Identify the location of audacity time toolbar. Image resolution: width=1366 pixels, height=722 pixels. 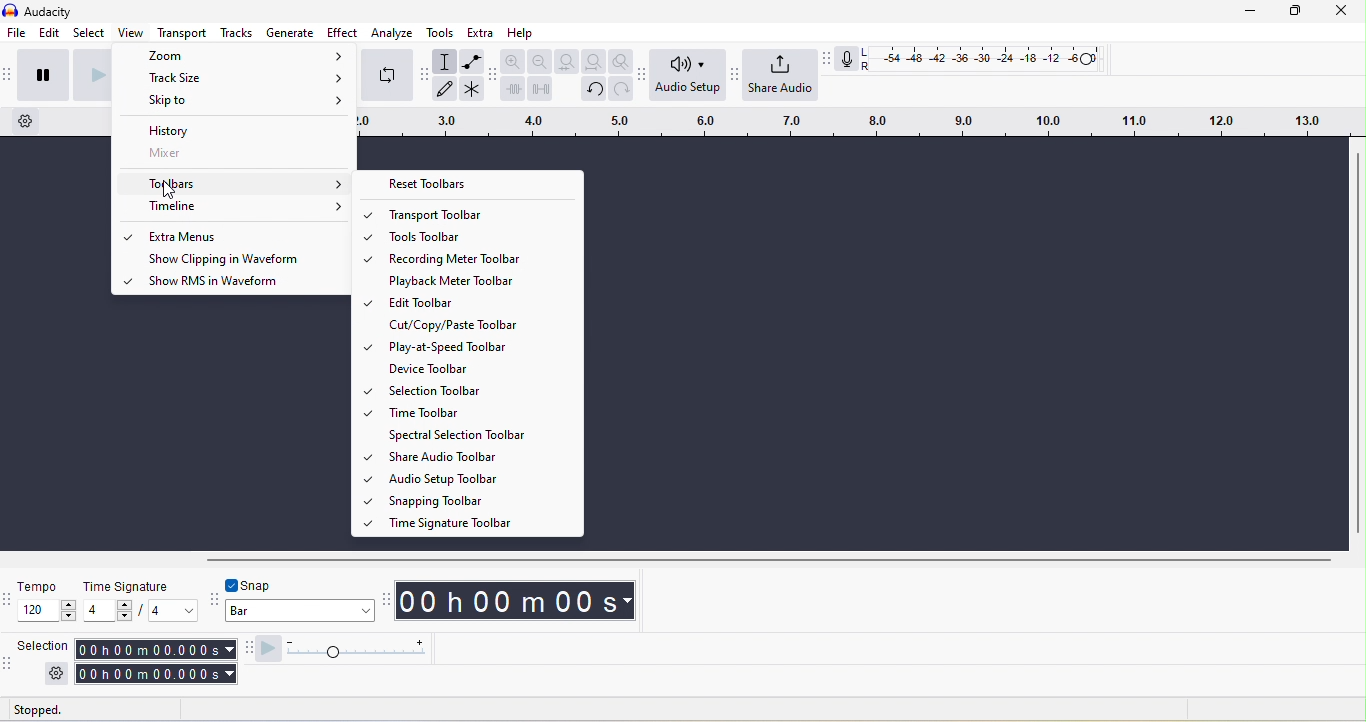
(384, 602).